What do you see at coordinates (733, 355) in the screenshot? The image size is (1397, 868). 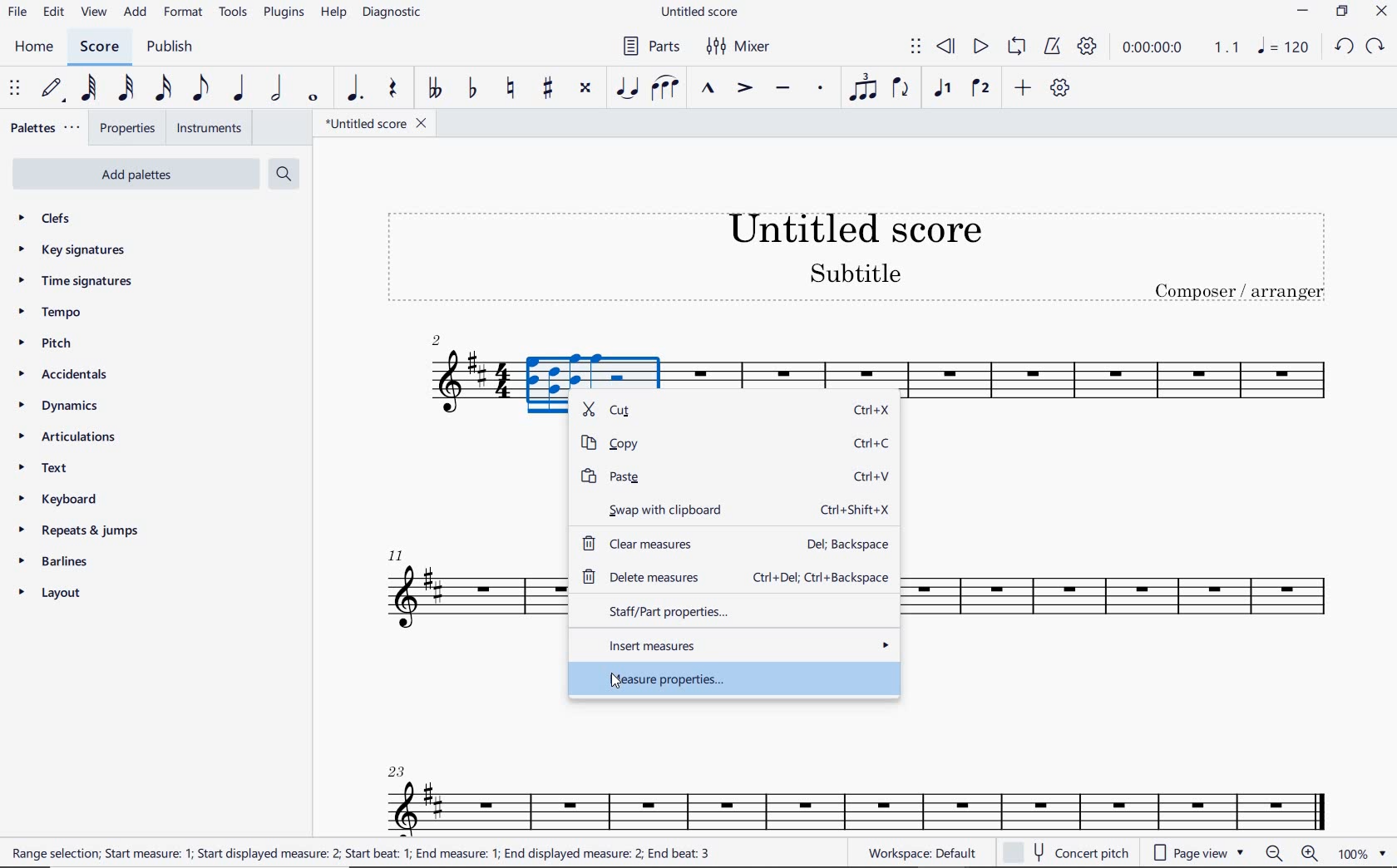 I see `INSTRUMENT: TENOR SAXOPHONE` at bounding box center [733, 355].